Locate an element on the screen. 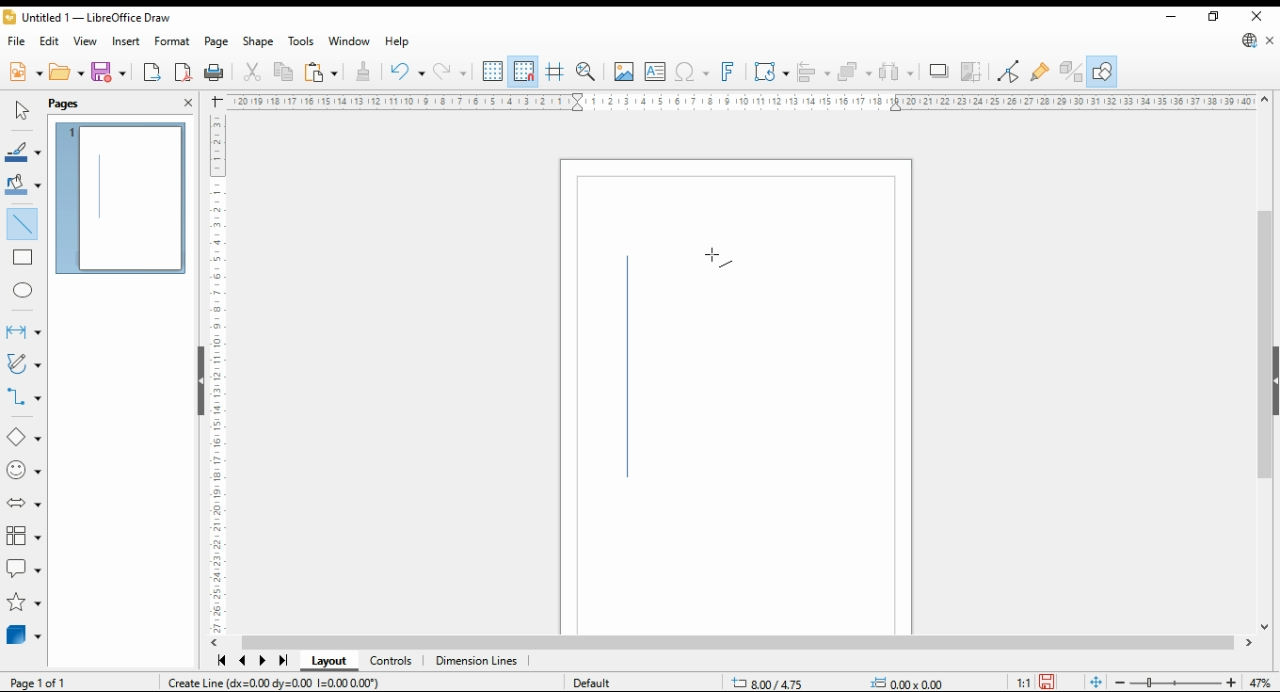 This screenshot has width=1280, height=692. page 1 is located at coordinates (123, 199).